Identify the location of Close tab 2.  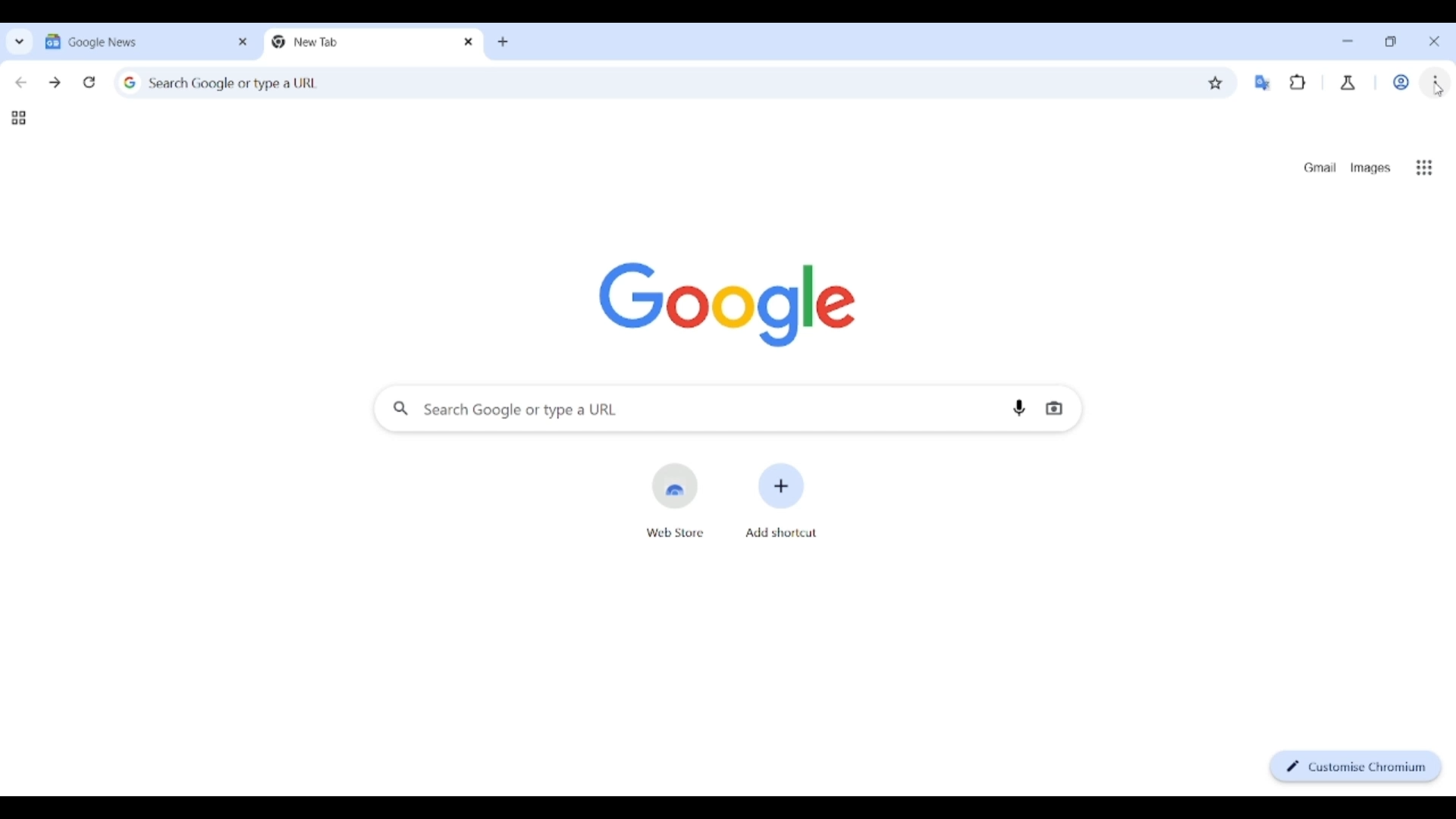
(469, 42).